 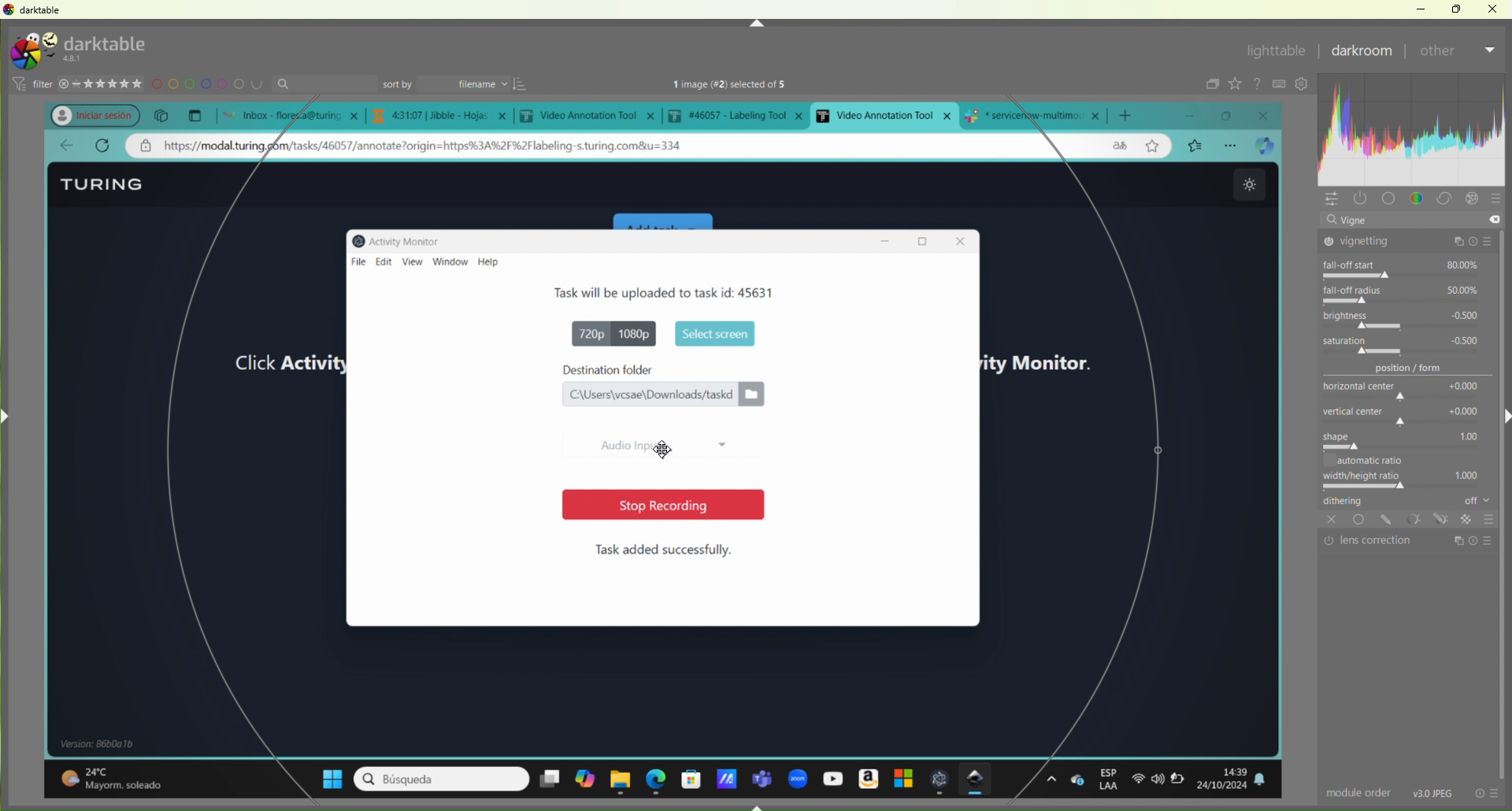 I want to click on date and time, so click(x=1225, y=777).